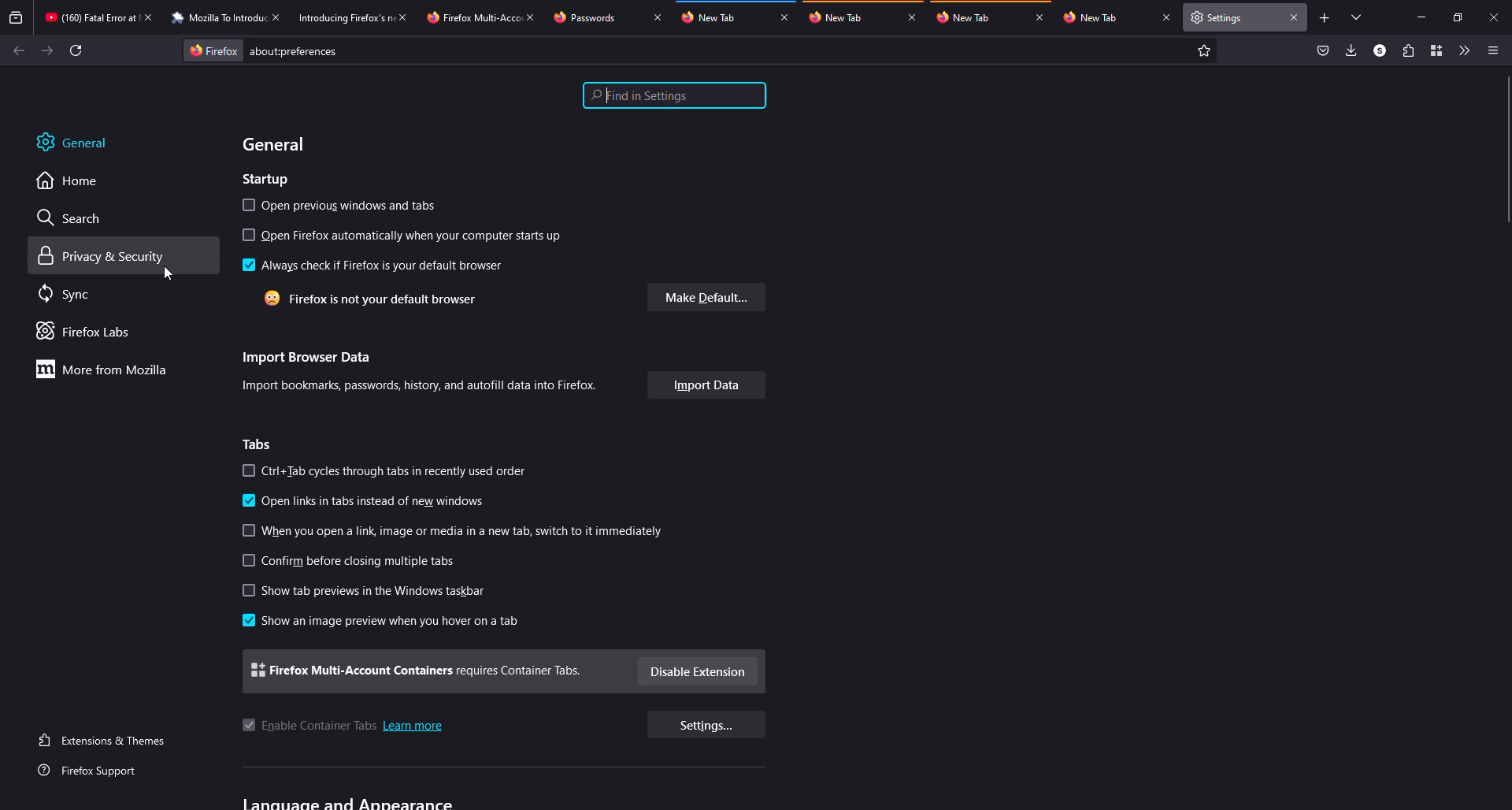 The width and height of the screenshot is (1512, 810). I want to click on select, so click(249, 591).